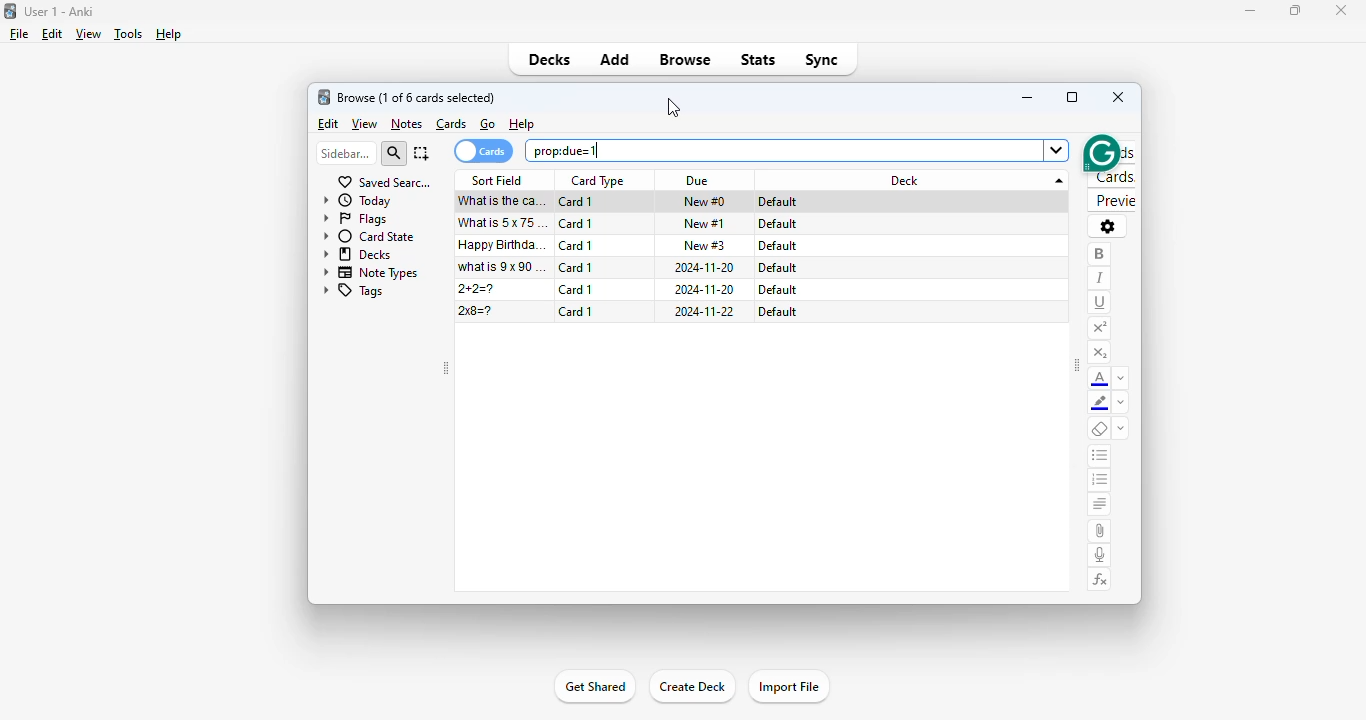 The image size is (1366, 720). Describe the element at coordinates (1100, 429) in the screenshot. I see `remove formatting` at that location.